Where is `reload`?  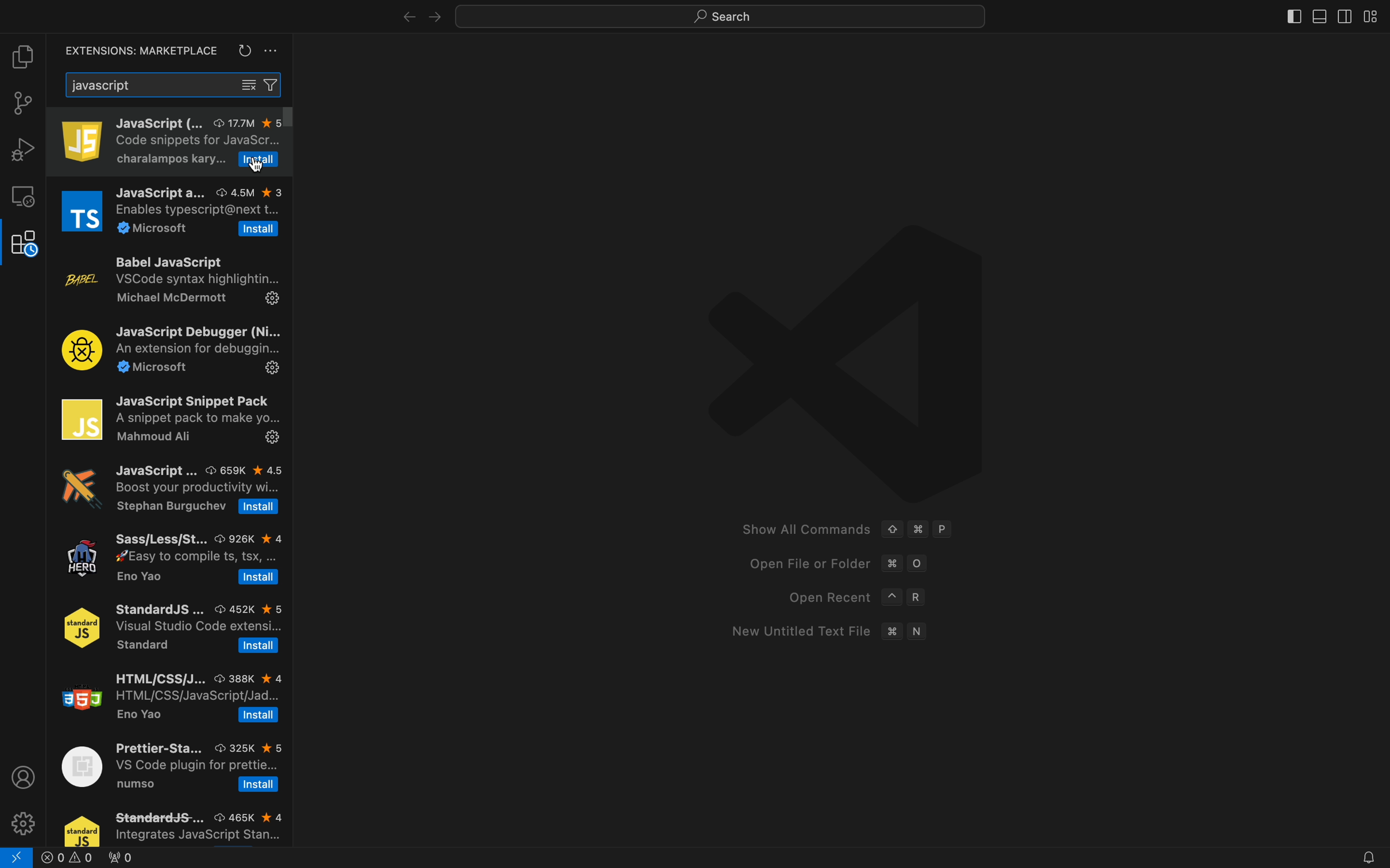 reload is located at coordinates (244, 51).